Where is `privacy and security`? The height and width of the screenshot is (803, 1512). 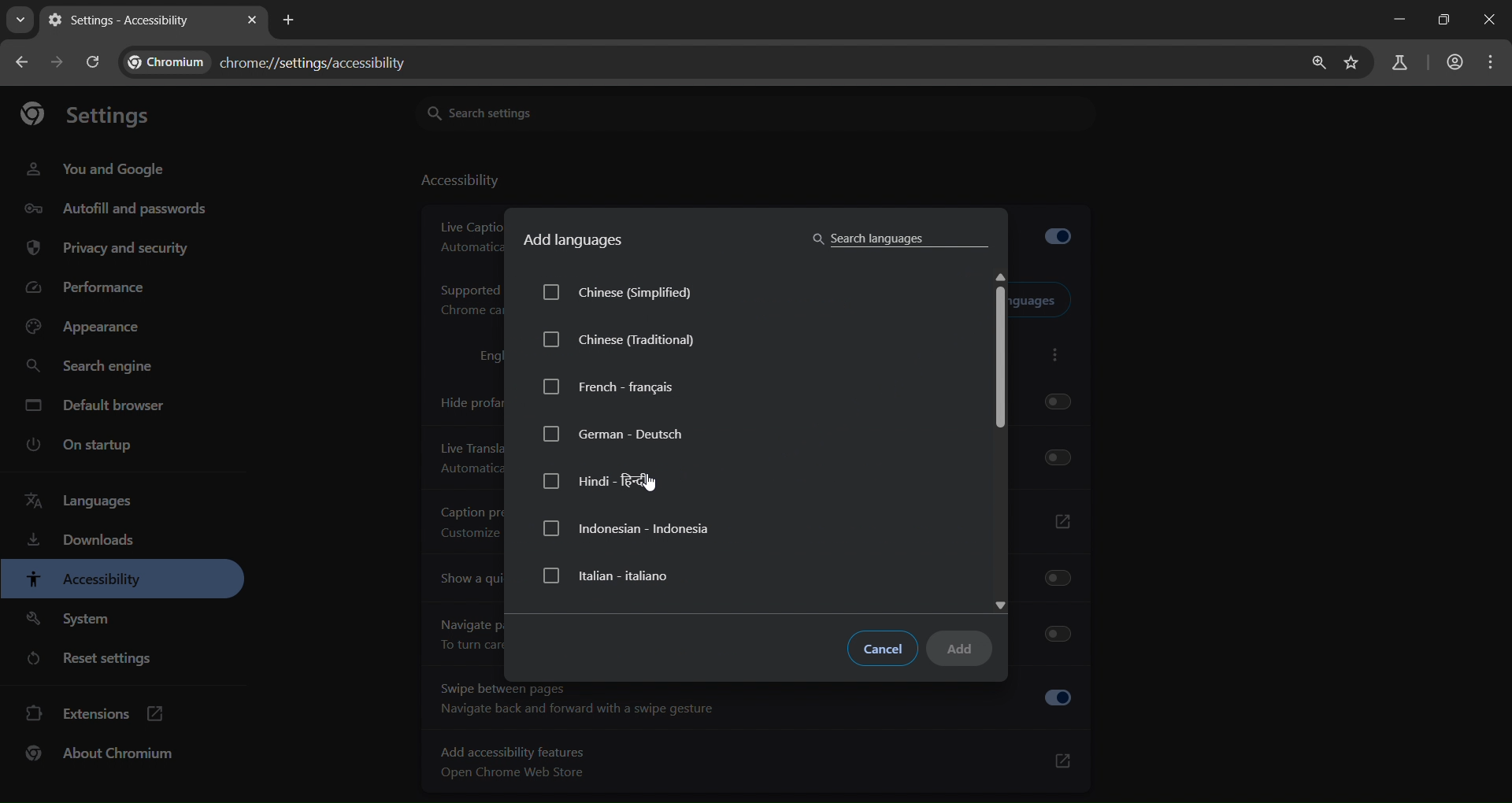
privacy and security is located at coordinates (112, 249).